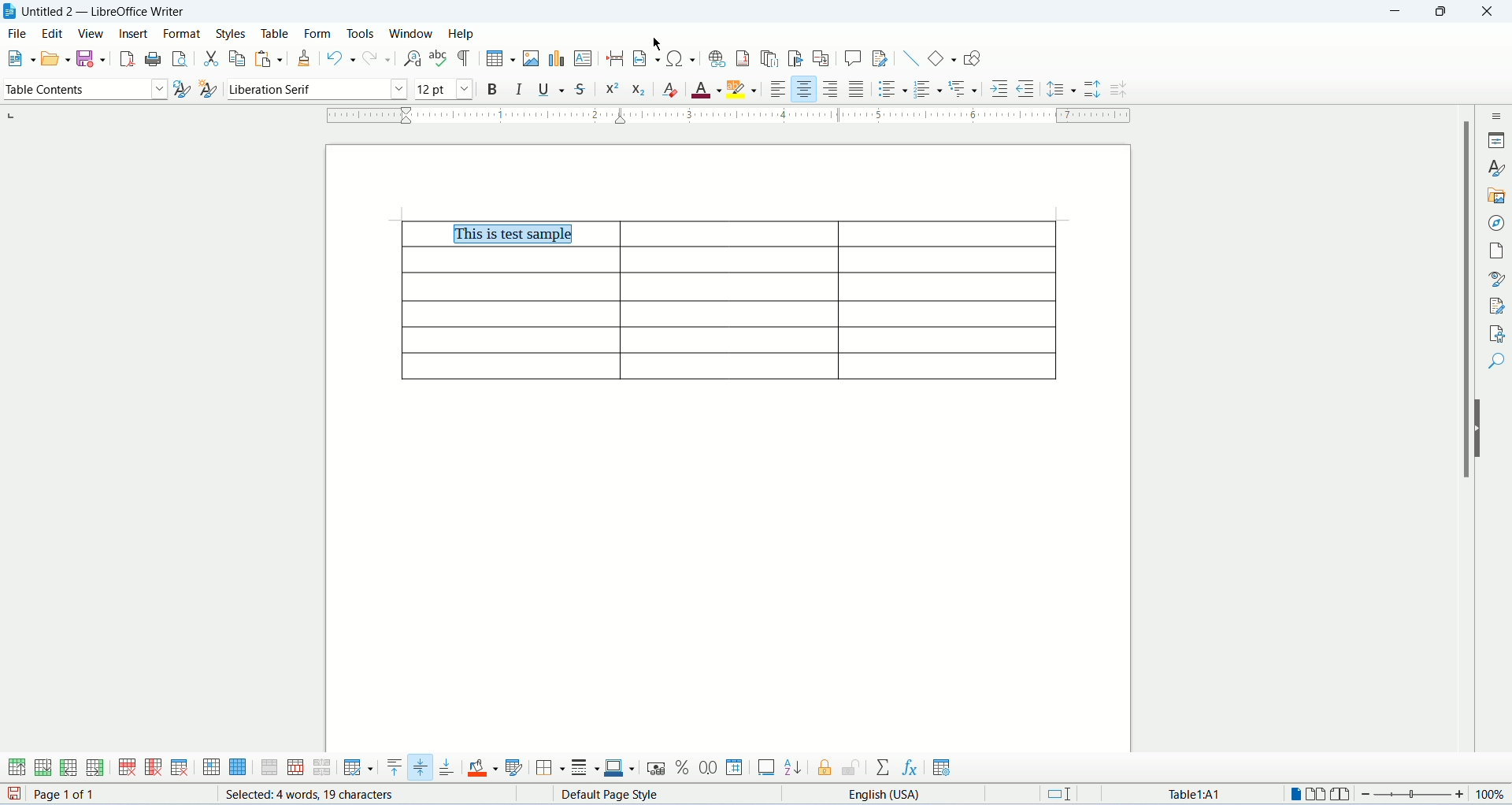 Image resolution: width=1512 pixels, height=805 pixels. Describe the element at coordinates (511, 236) in the screenshot. I see `center aligned cell` at that location.